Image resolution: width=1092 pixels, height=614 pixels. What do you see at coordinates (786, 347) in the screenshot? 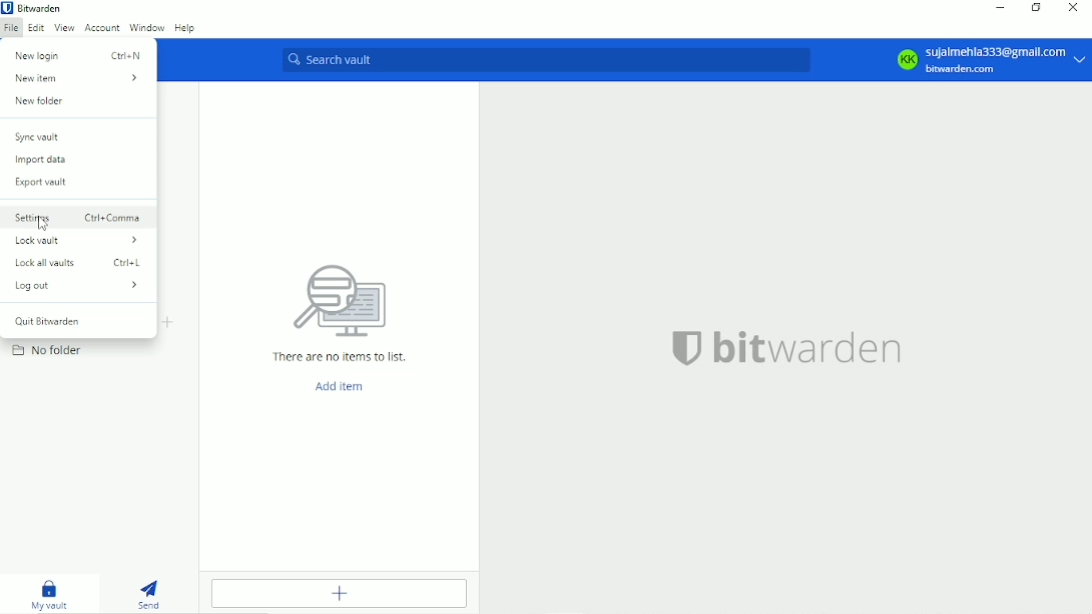
I see `bitwarden` at bounding box center [786, 347].